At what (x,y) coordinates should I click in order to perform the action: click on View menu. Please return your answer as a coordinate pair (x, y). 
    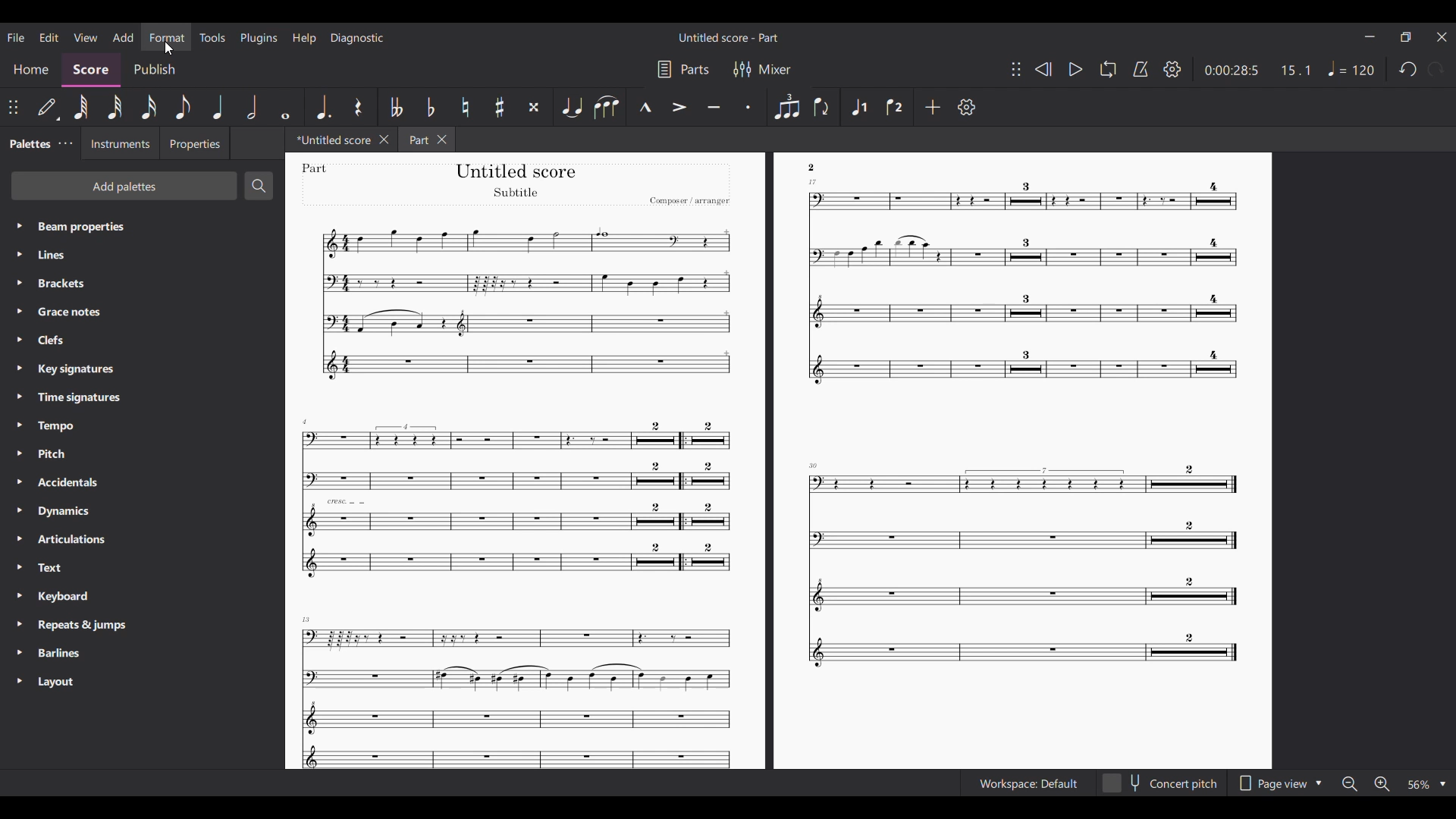
    Looking at the image, I should click on (85, 37).